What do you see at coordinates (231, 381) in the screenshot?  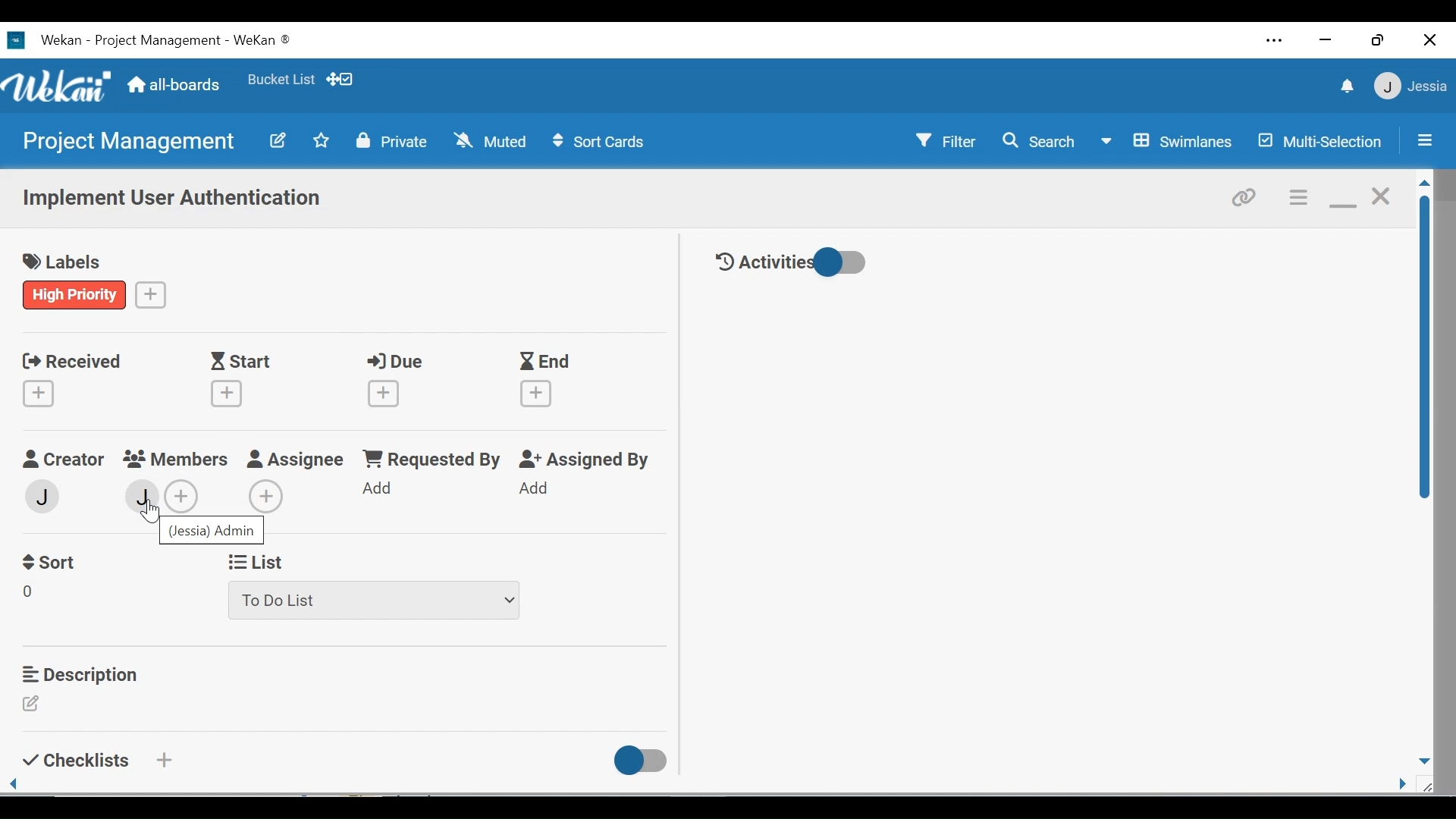 I see `Start` at bounding box center [231, 381].